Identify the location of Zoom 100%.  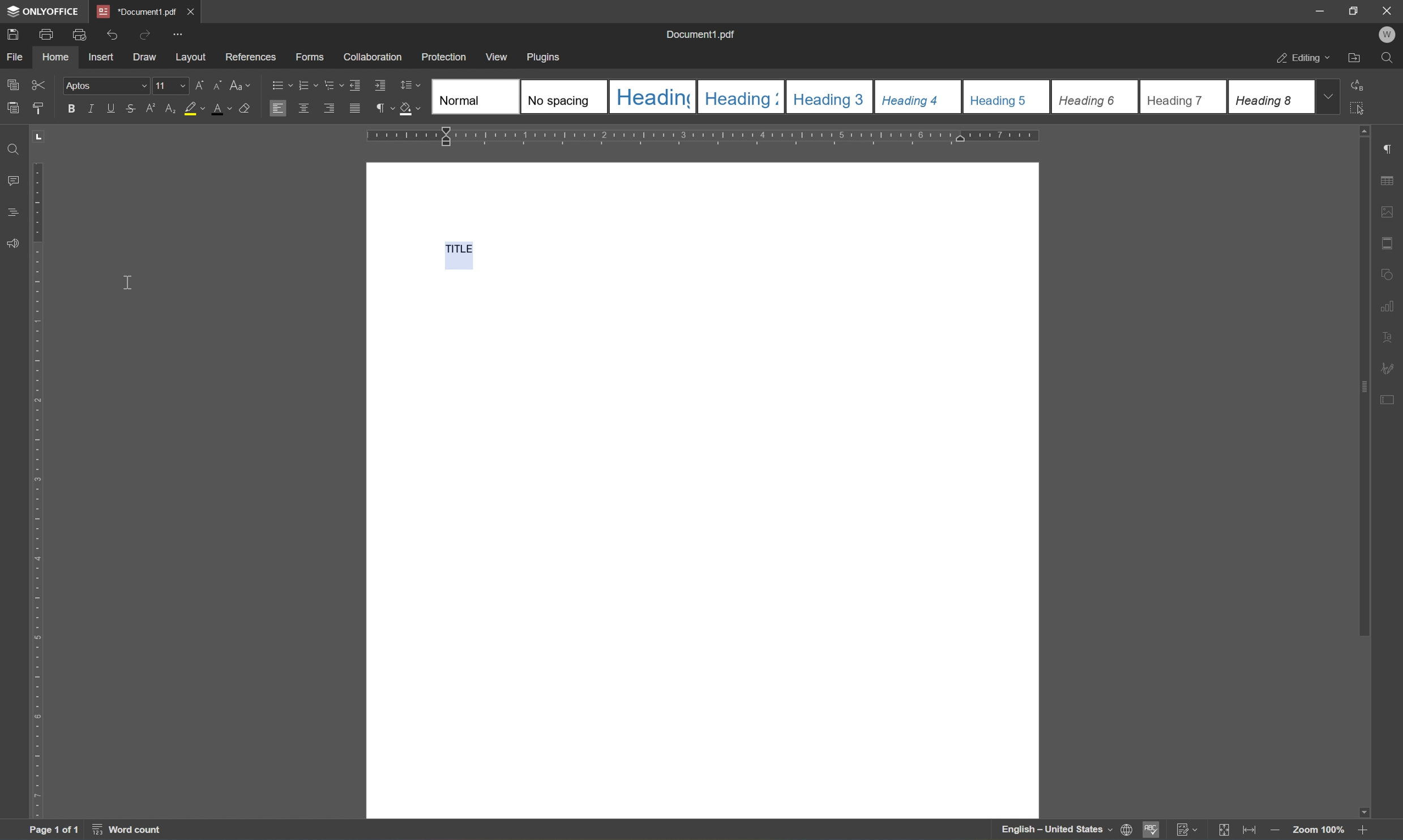
(1320, 831).